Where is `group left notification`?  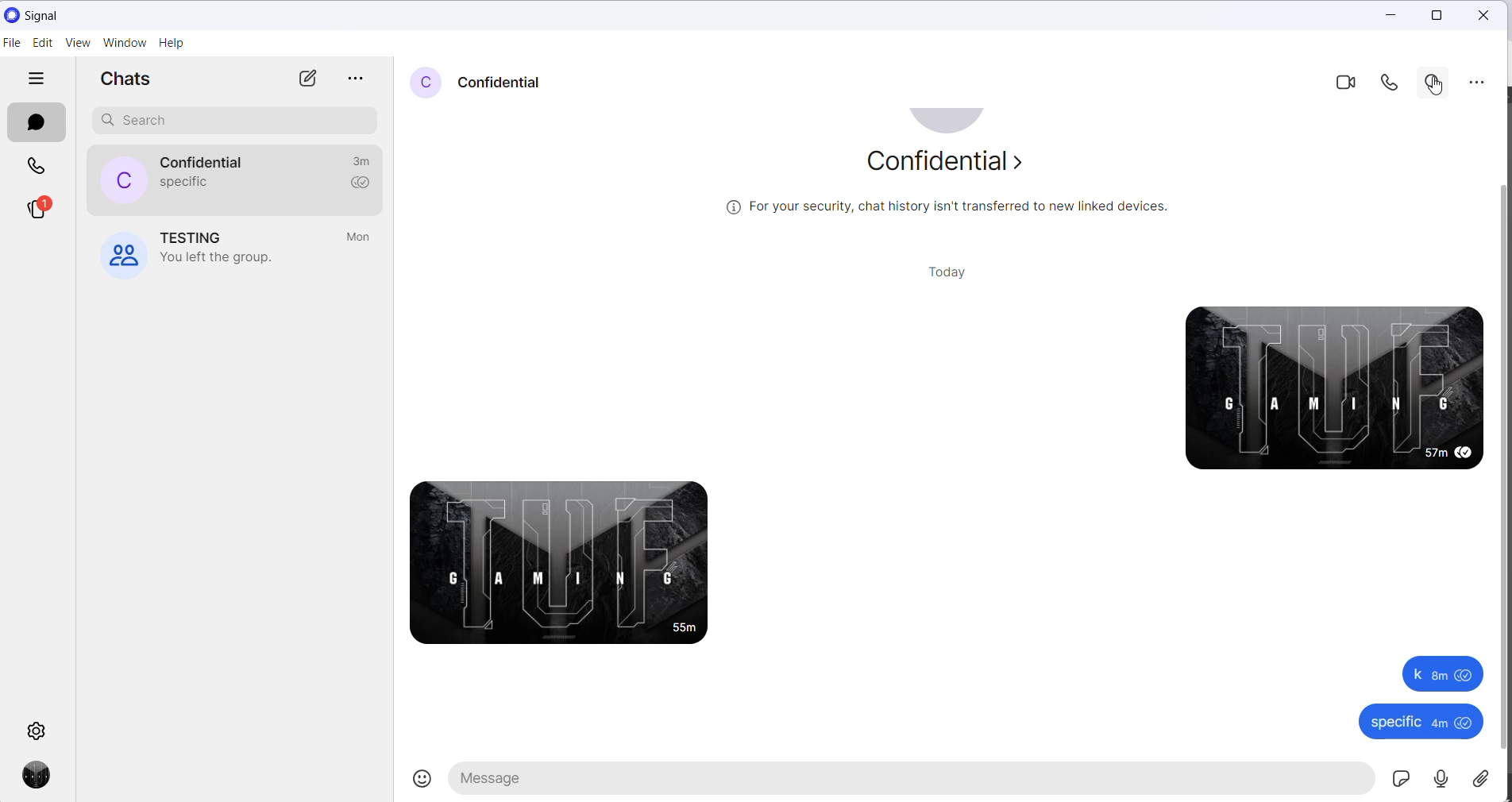
group left notification is located at coordinates (223, 258).